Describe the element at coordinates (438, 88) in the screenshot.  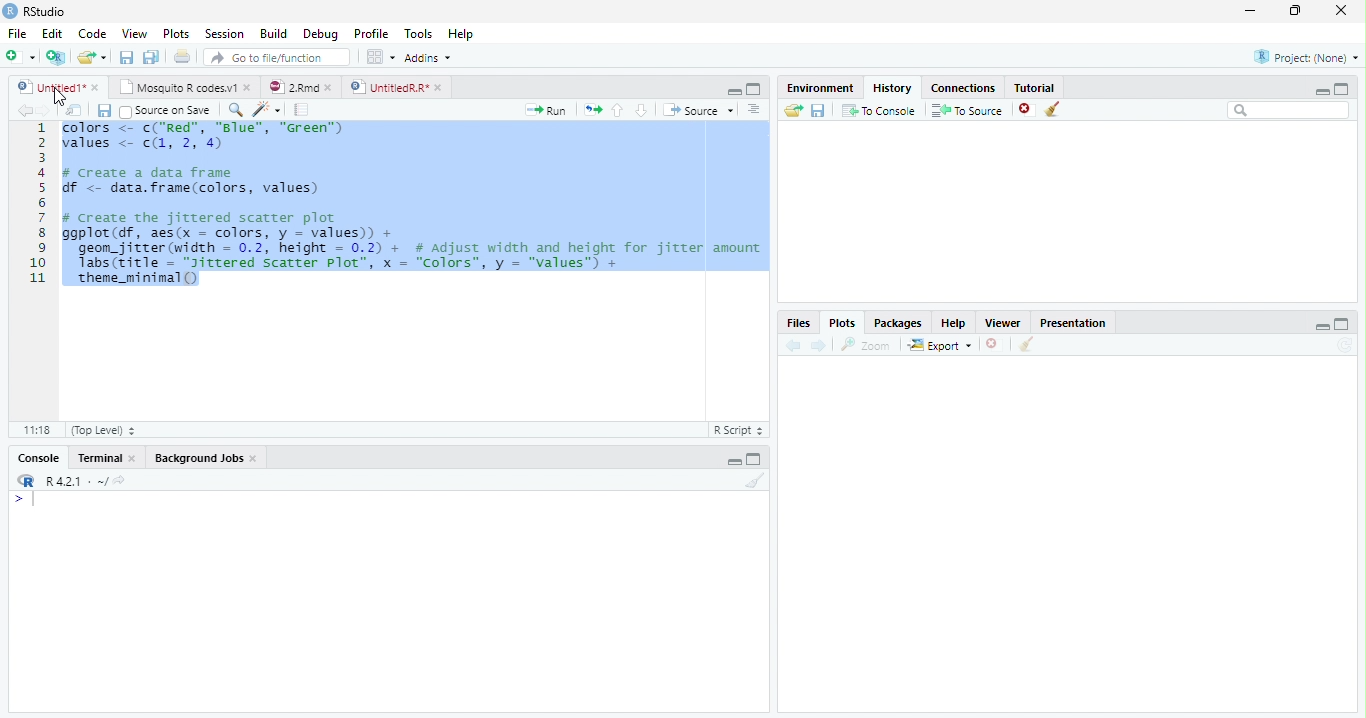
I see `close` at that location.